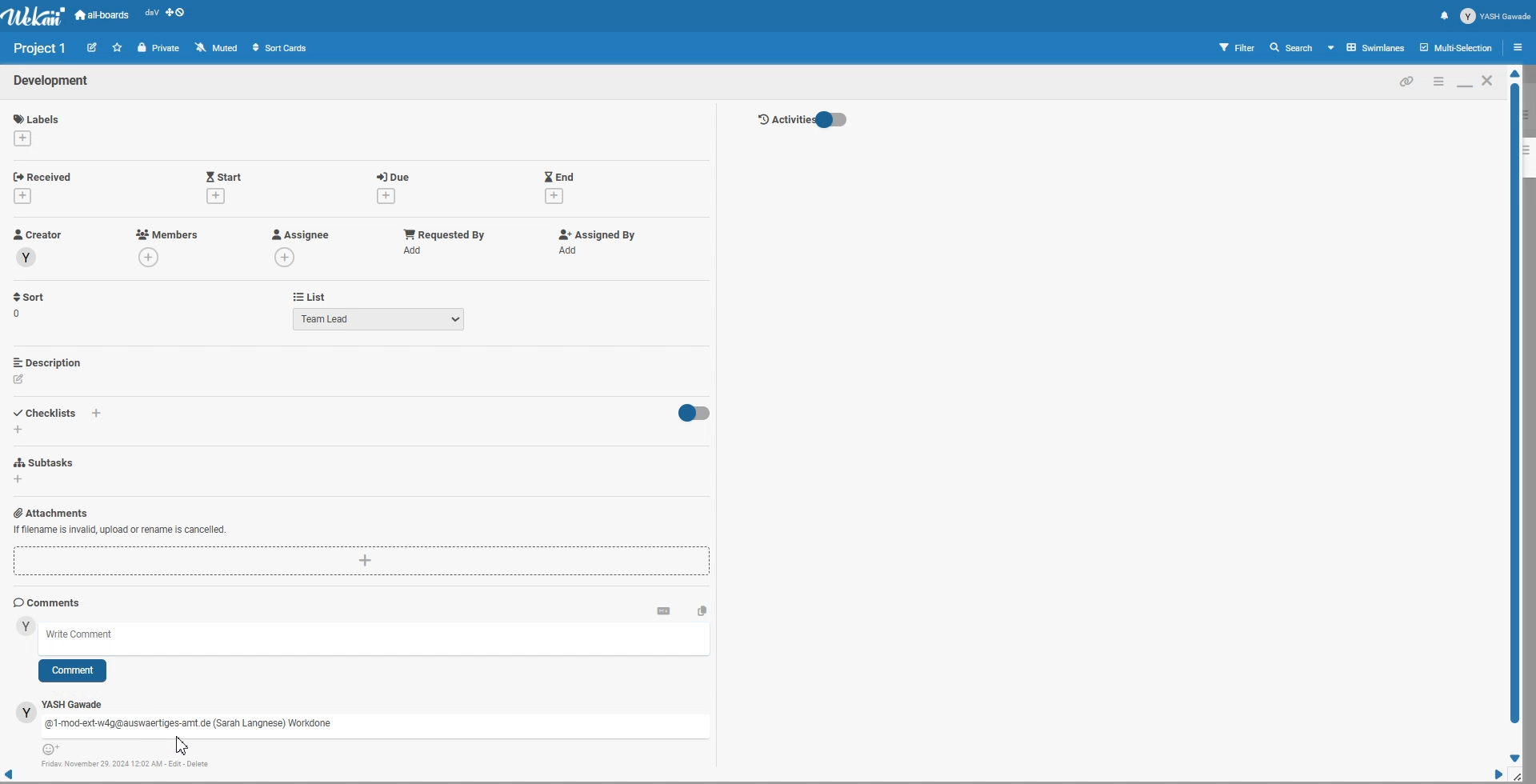 The image size is (1536, 784). Describe the element at coordinates (279, 47) in the screenshot. I see `Sort Cards` at that location.